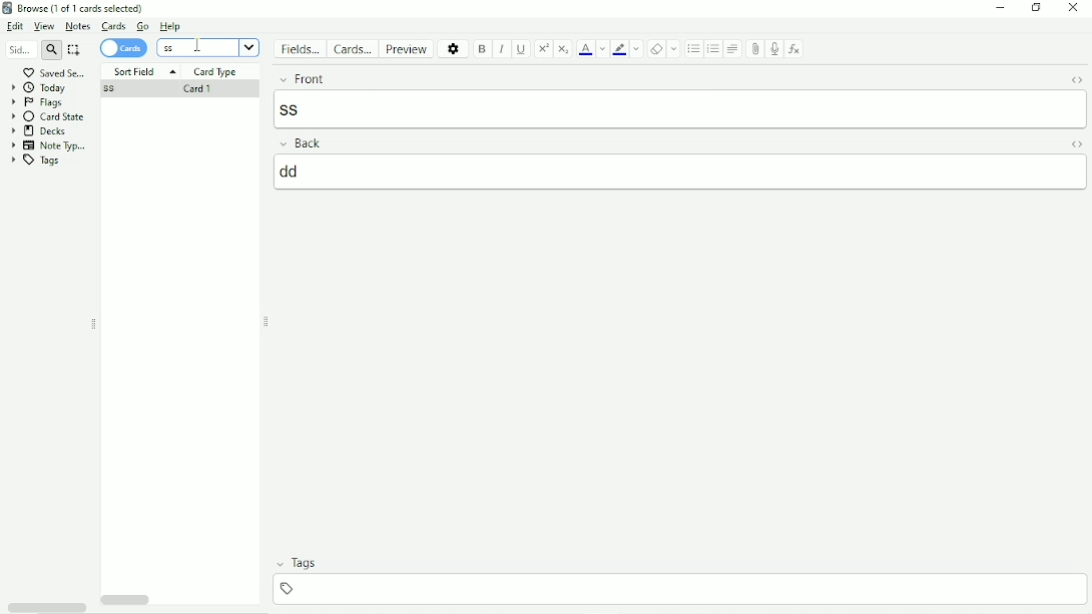 Image resolution: width=1092 pixels, height=614 pixels. I want to click on Text Highlight color, so click(619, 49).